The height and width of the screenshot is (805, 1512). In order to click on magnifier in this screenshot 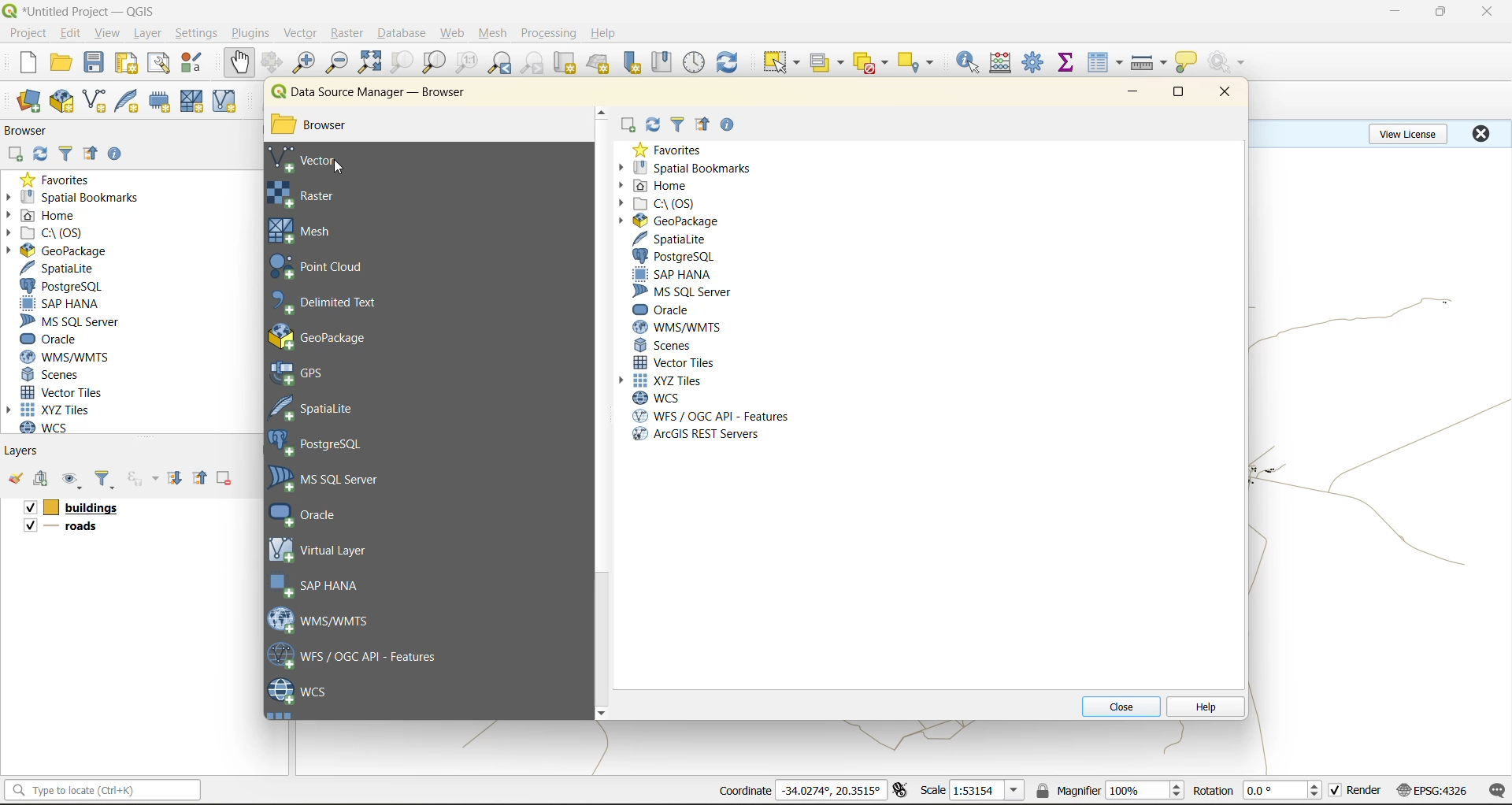, I will do `click(1067, 790)`.